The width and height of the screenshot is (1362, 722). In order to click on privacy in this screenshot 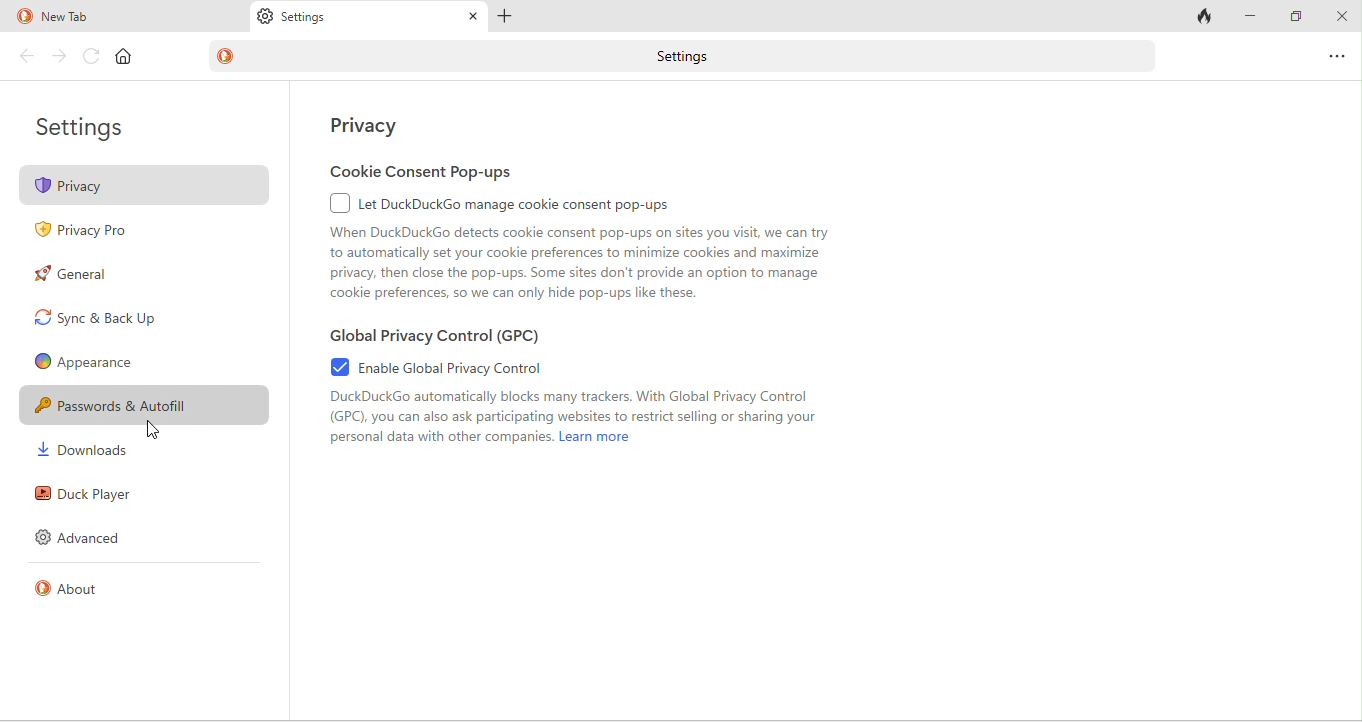, I will do `click(145, 183)`.